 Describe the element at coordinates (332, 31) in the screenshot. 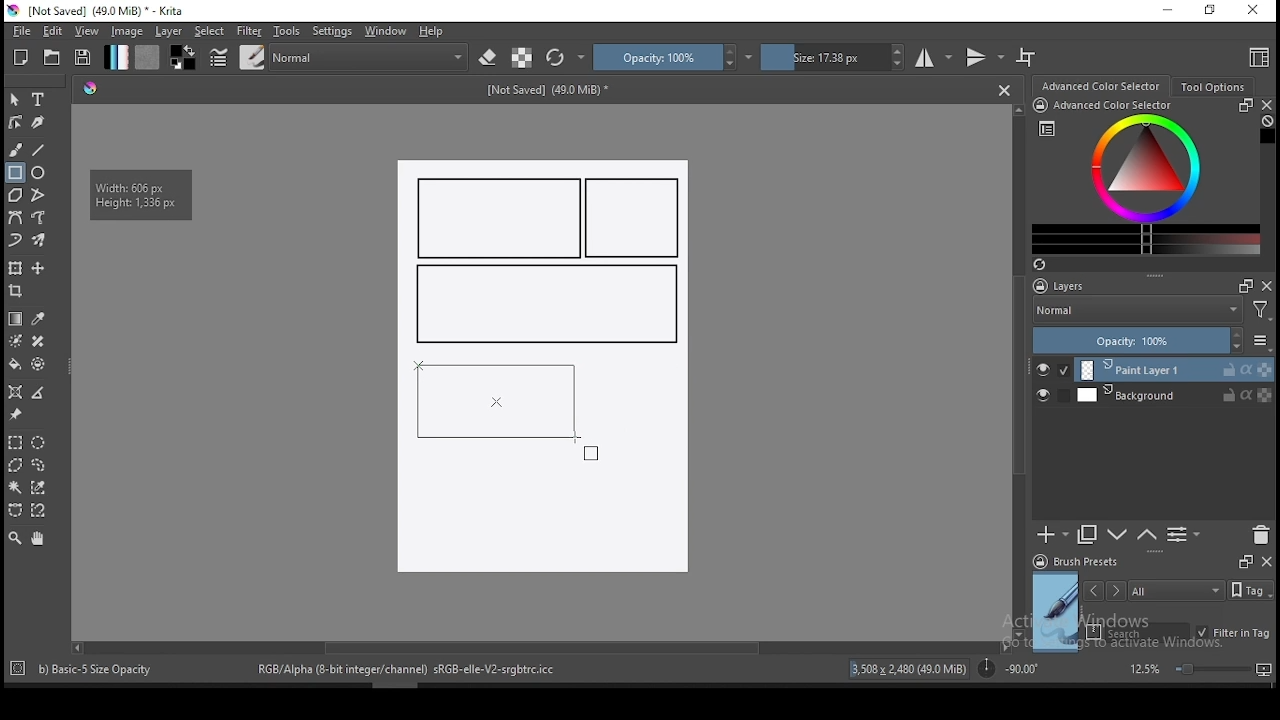

I see `settings` at that location.